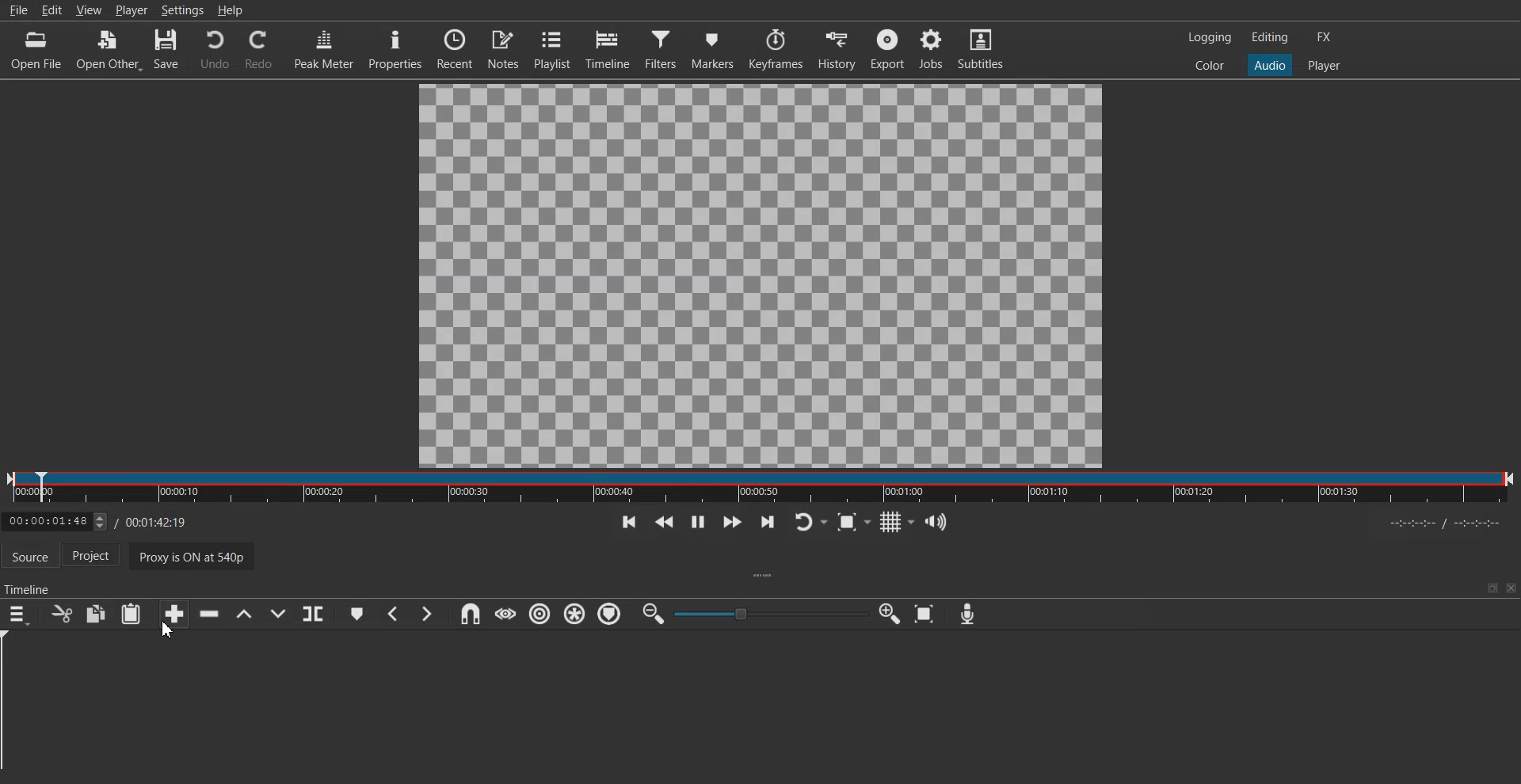  What do you see at coordinates (776, 48) in the screenshot?
I see `Keyframes` at bounding box center [776, 48].